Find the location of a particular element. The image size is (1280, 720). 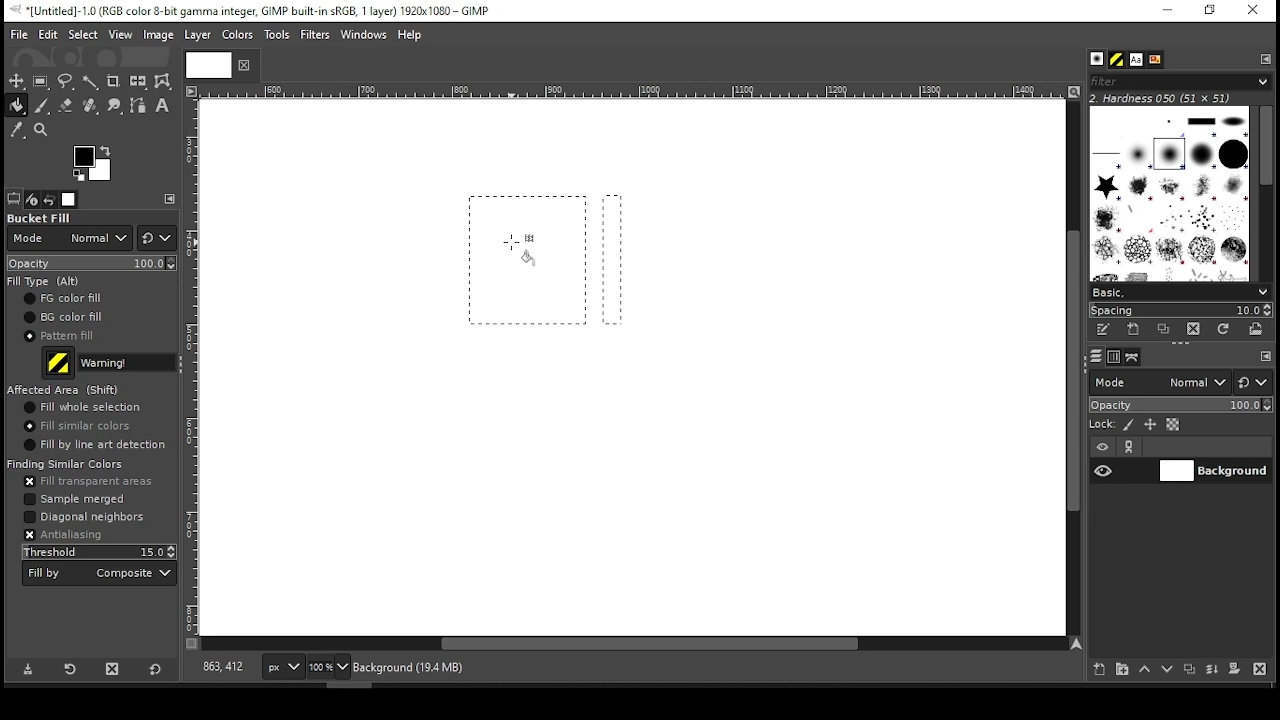

edit is located at coordinates (48, 34).